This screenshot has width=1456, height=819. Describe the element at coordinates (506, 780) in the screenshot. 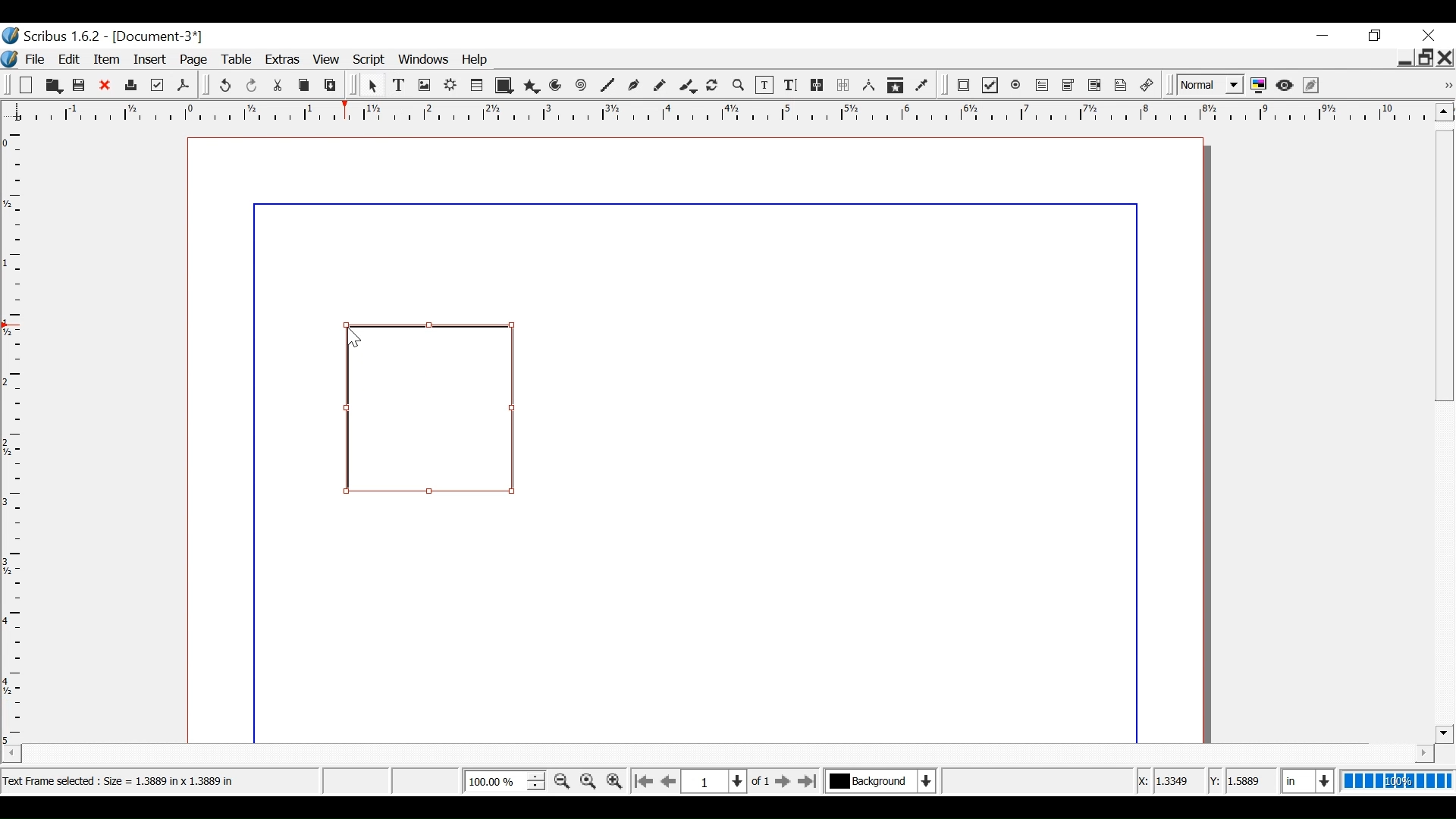

I see `Adjust Zoom` at that location.